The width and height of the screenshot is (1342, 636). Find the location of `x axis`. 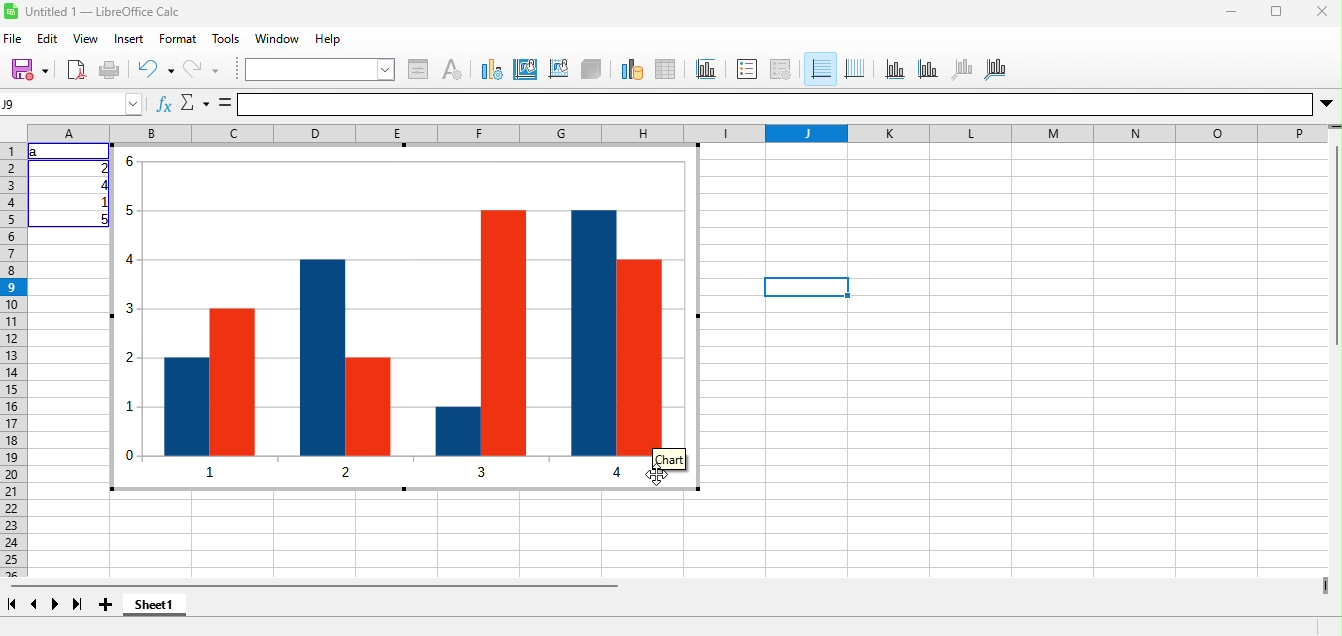

x axis is located at coordinates (896, 70).